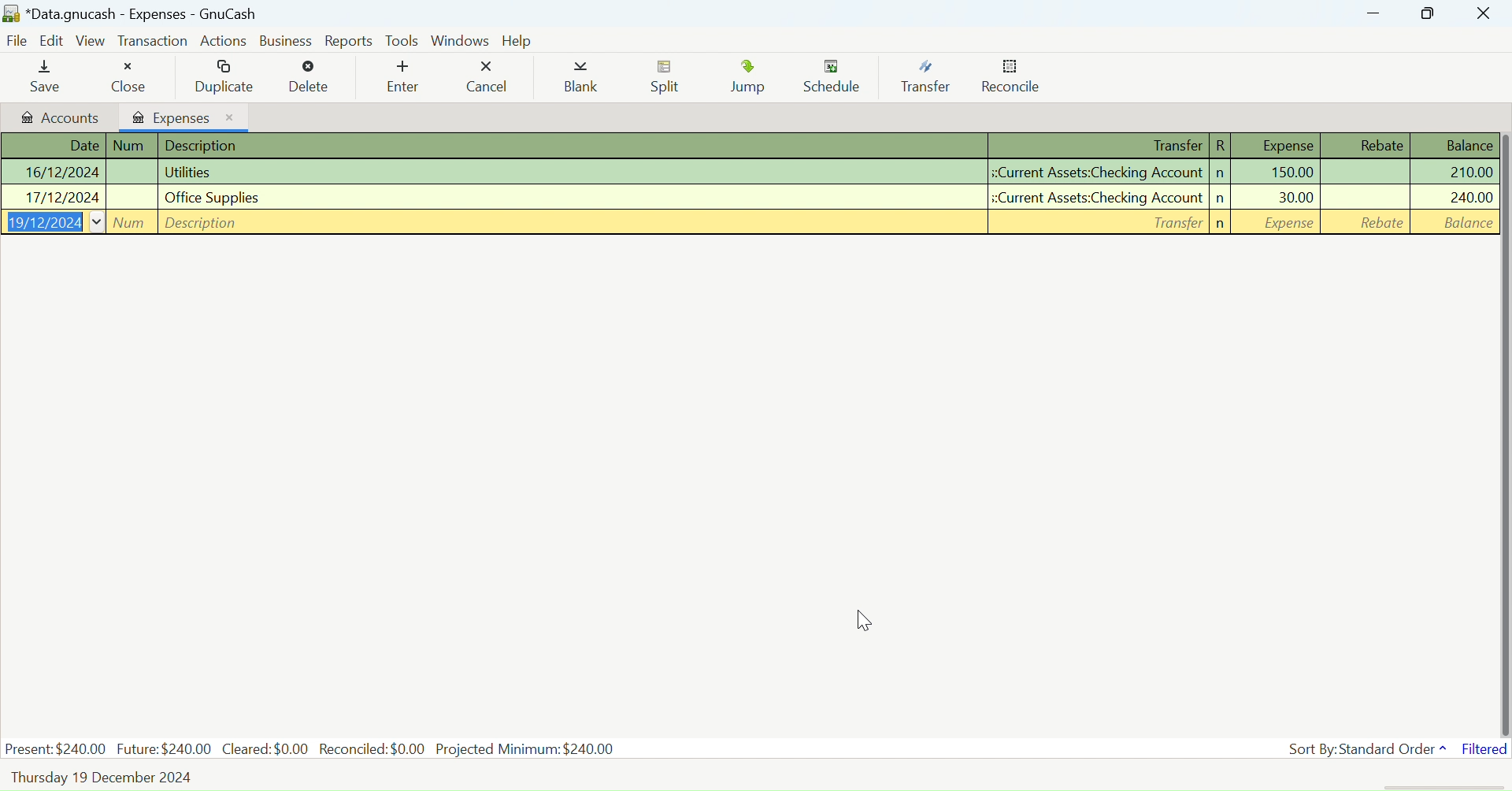 The image size is (1512, 791). Describe the element at coordinates (43, 78) in the screenshot. I see `Save` at that location.